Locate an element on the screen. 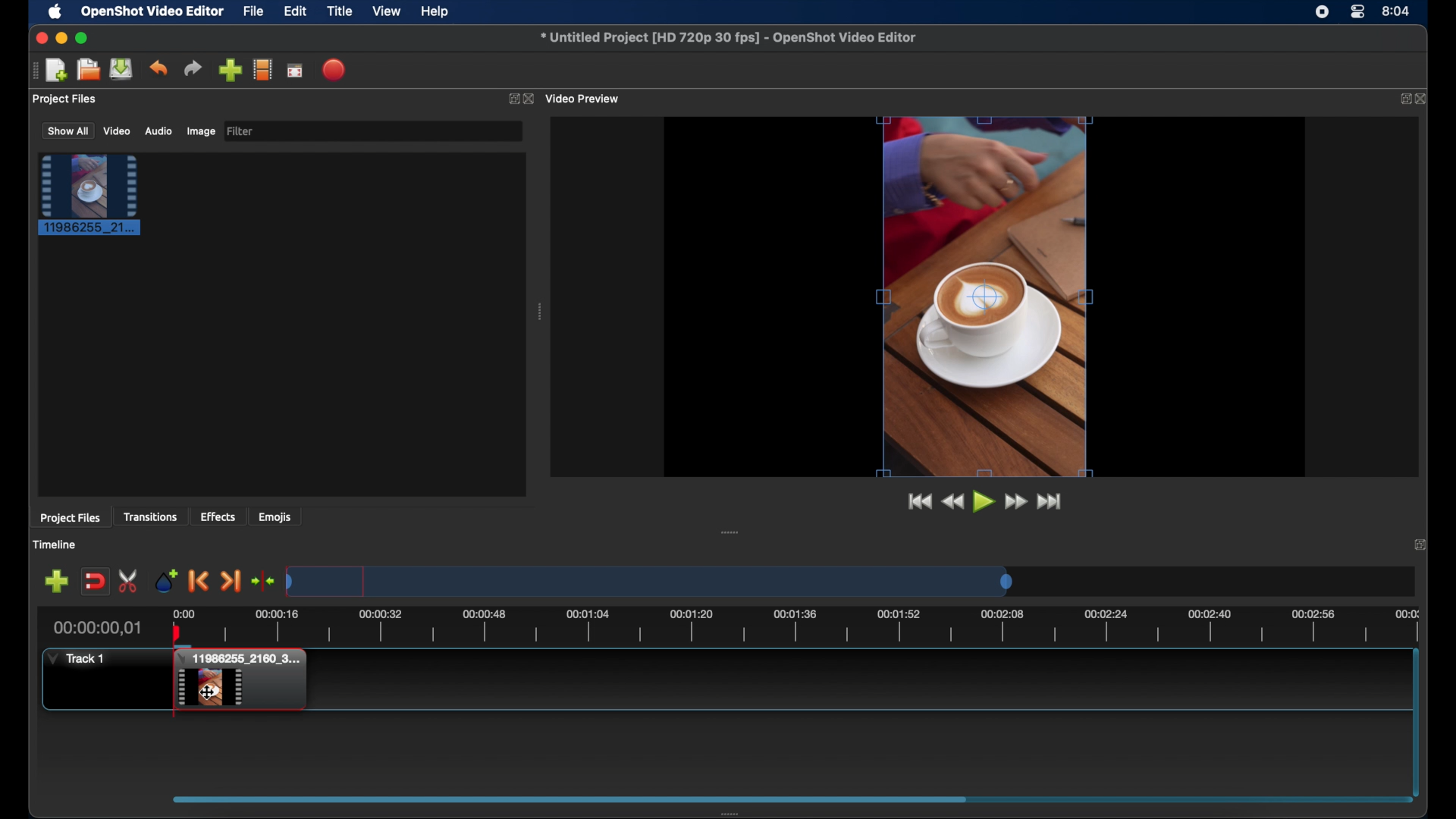  rewind is located at coordinates (953, 502).